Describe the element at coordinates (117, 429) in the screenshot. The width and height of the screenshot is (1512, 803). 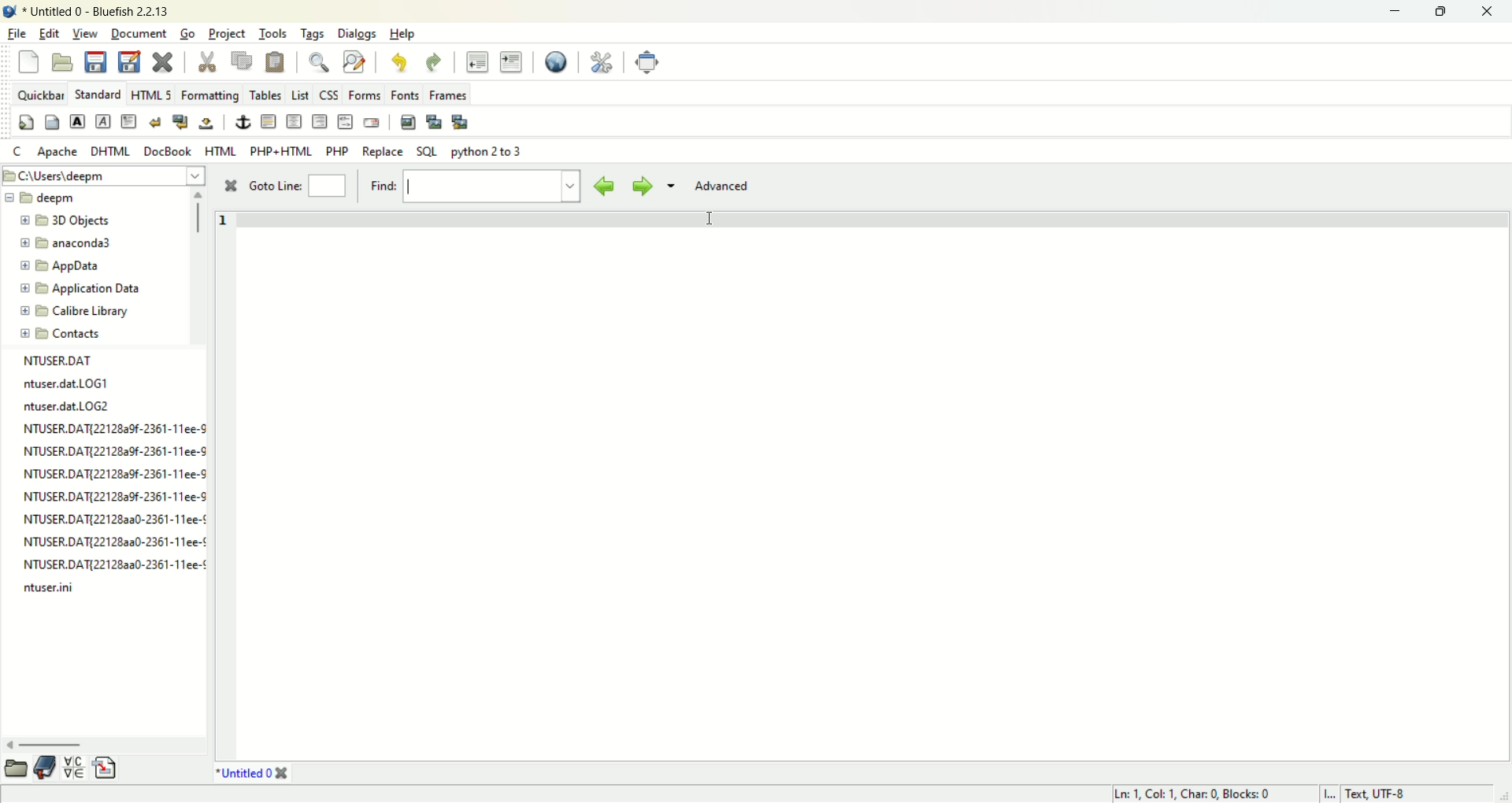
I see `NTUSER.DAT{2212829f-2361-11ee-9` at that location.